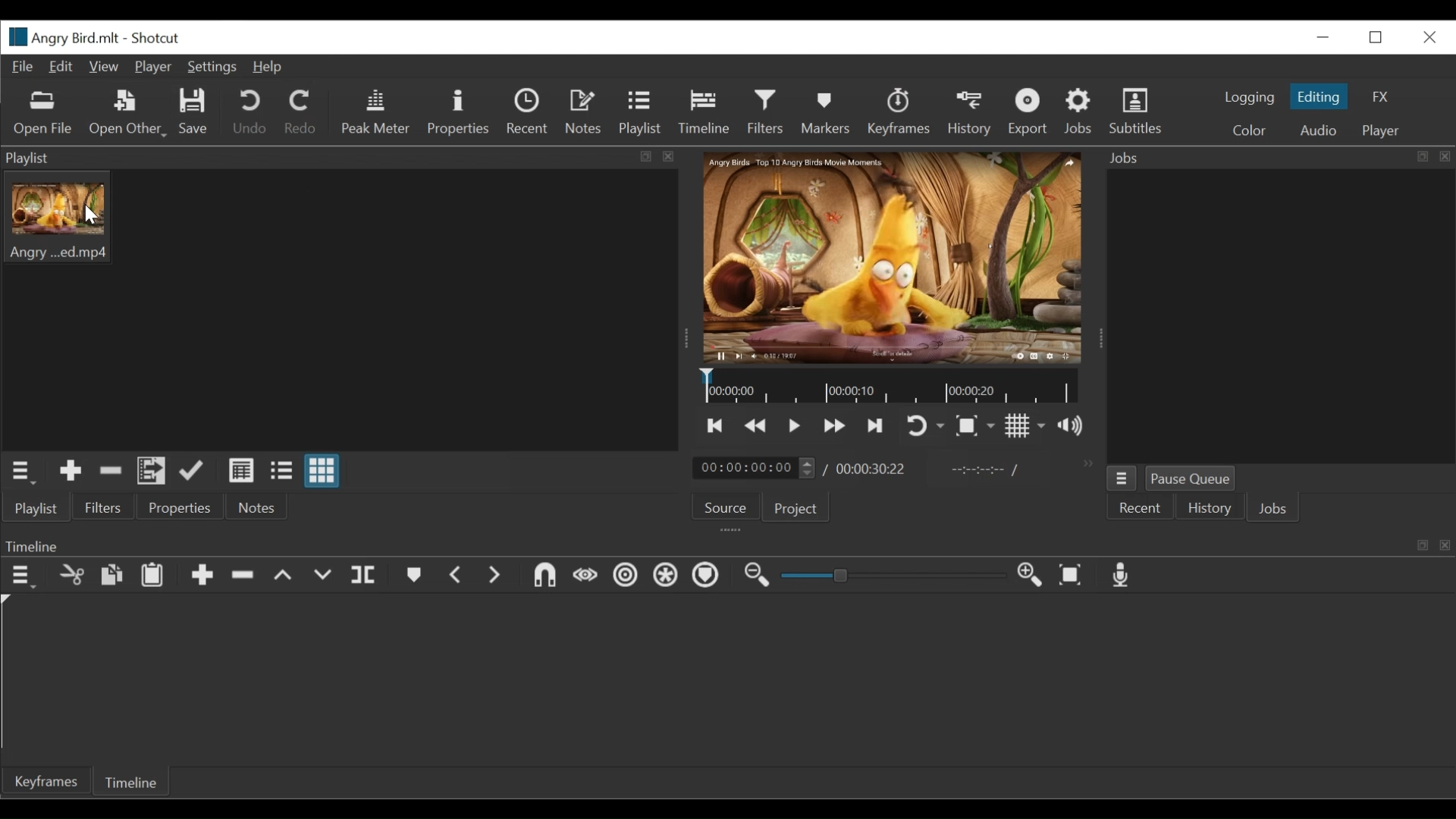  I want to click on overwrite, so click(322, 577).